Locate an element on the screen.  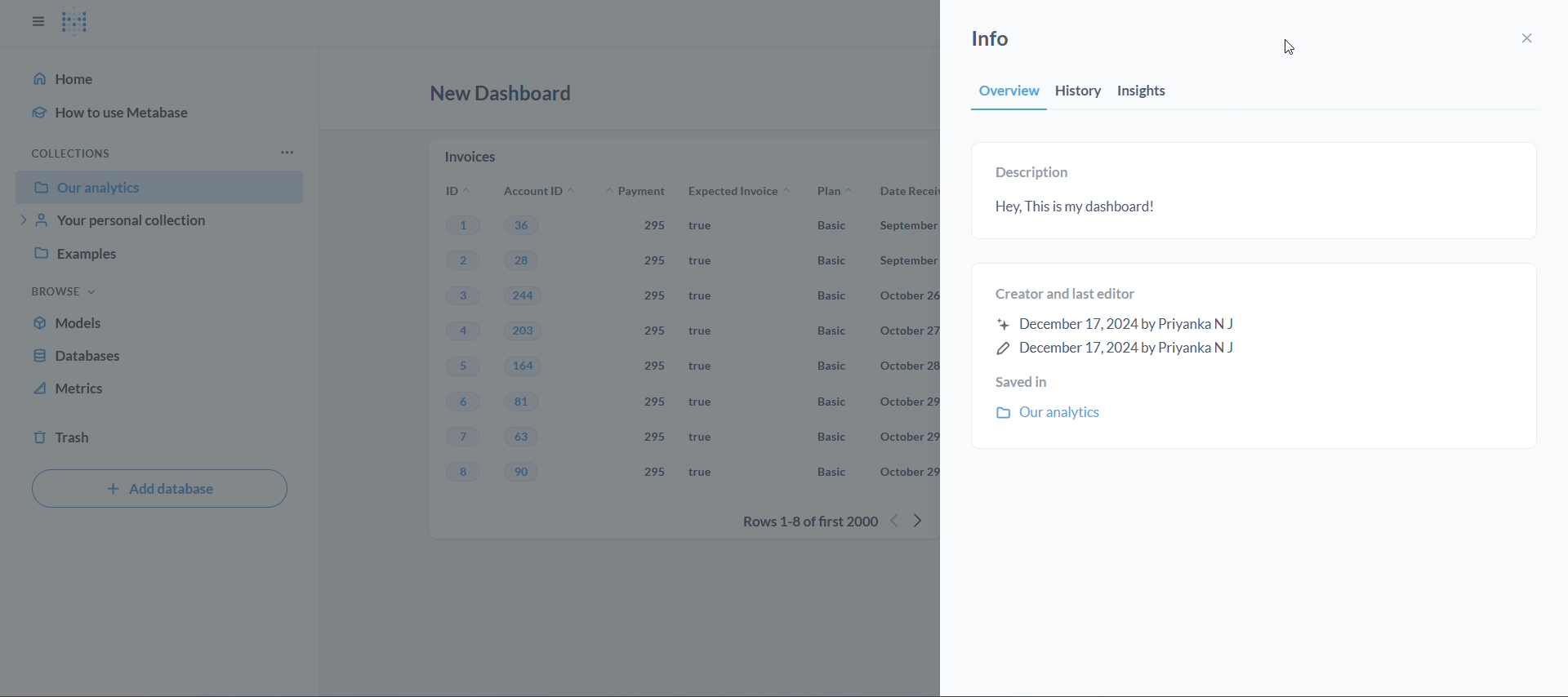
more  is located at coordinates (292, 151).